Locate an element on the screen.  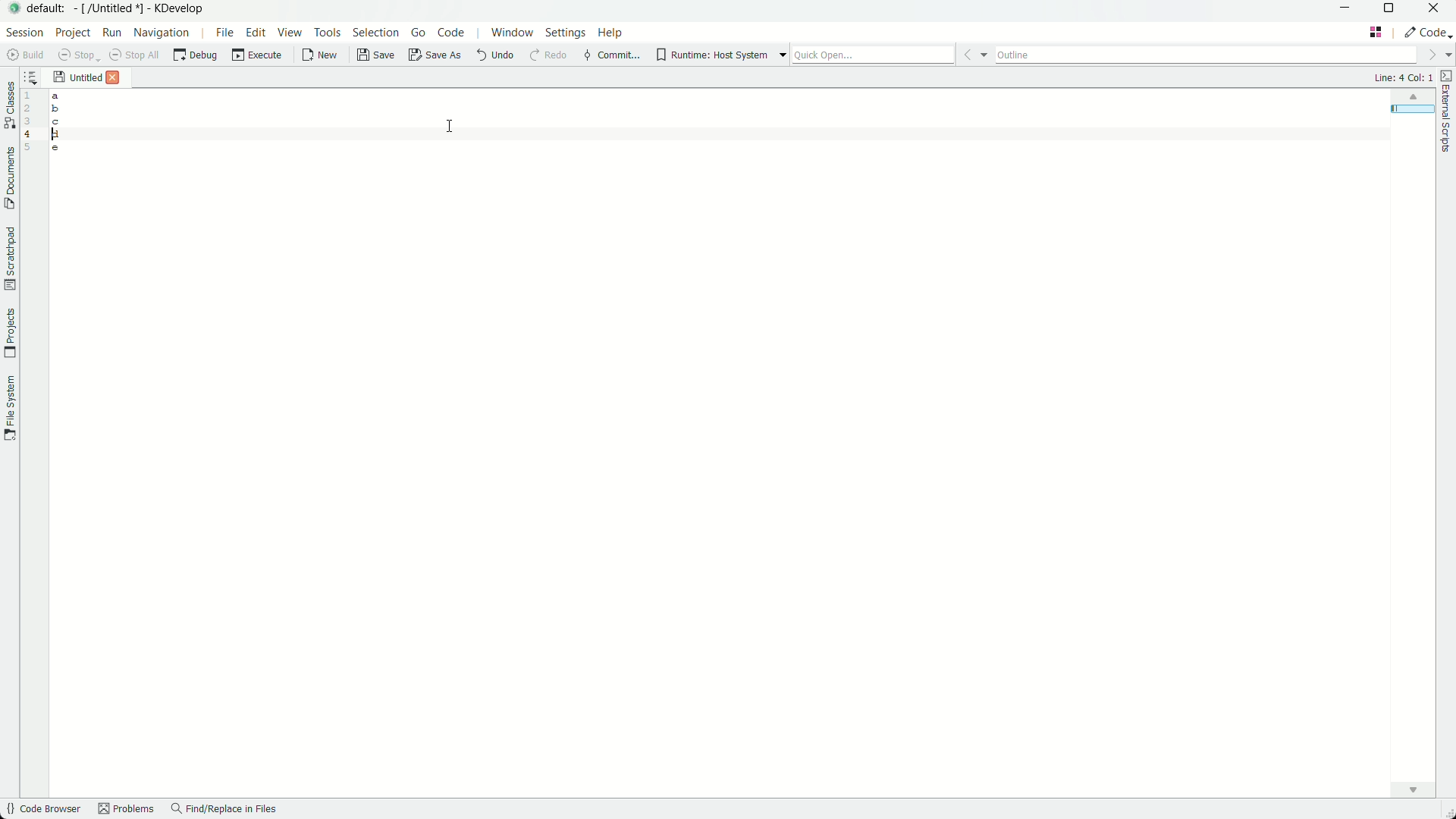
kdevelop is located at coordinates (183, 8).